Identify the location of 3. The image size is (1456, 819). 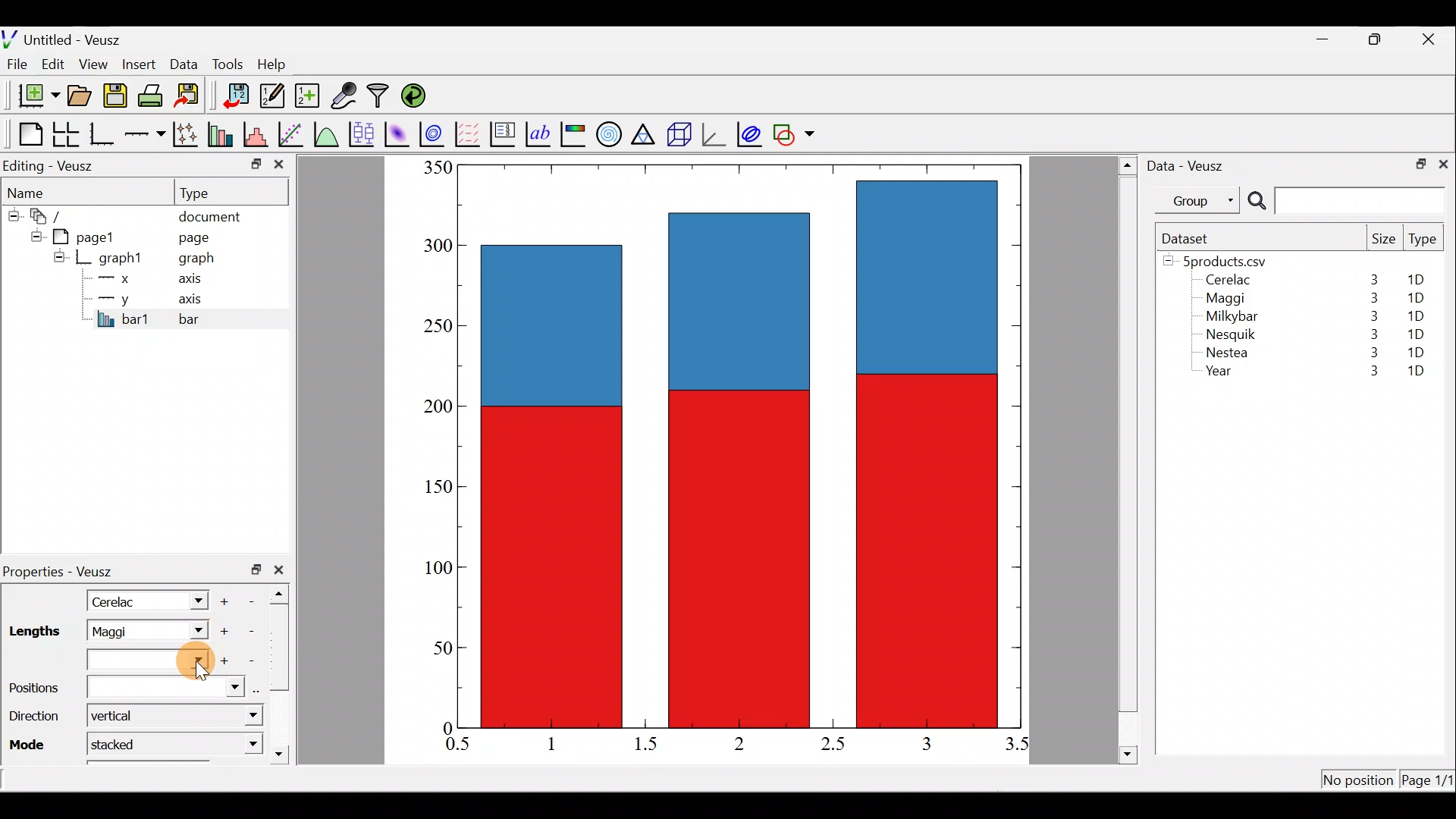
(925, 743).